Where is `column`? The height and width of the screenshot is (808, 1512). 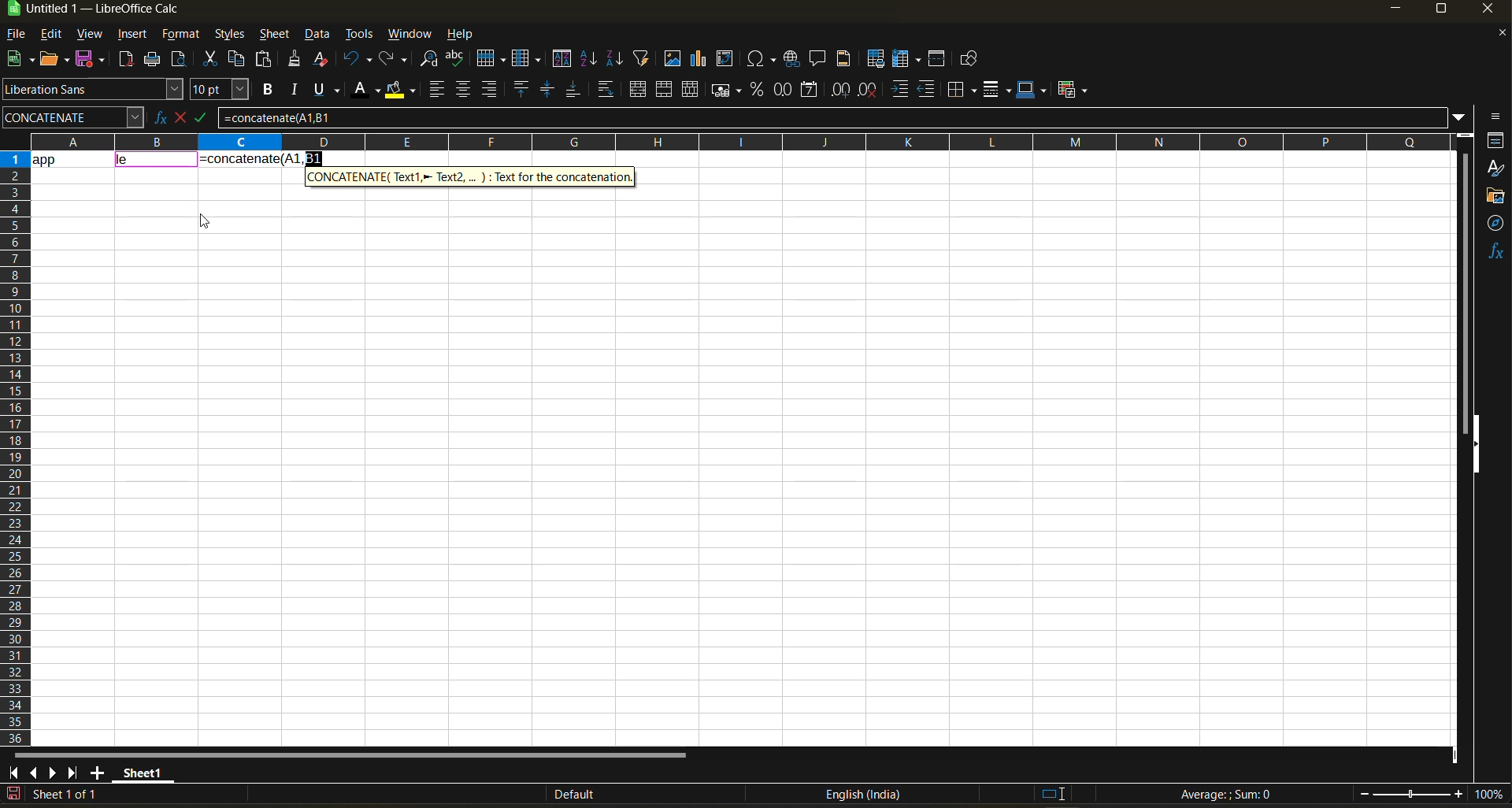 column is located at coordinates (528, 61).